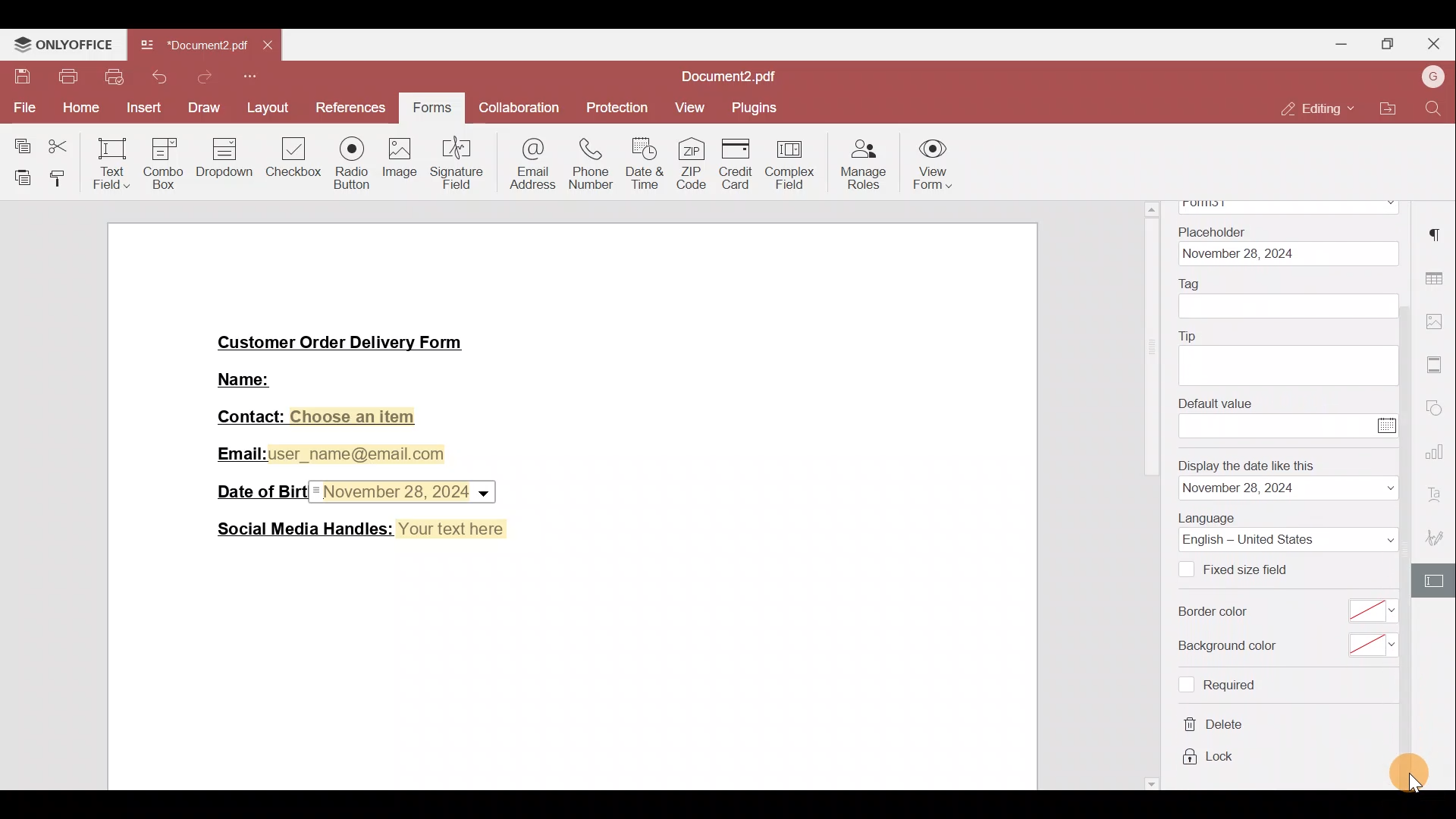  I want to click on Display the date like this, so click(1248, 464).